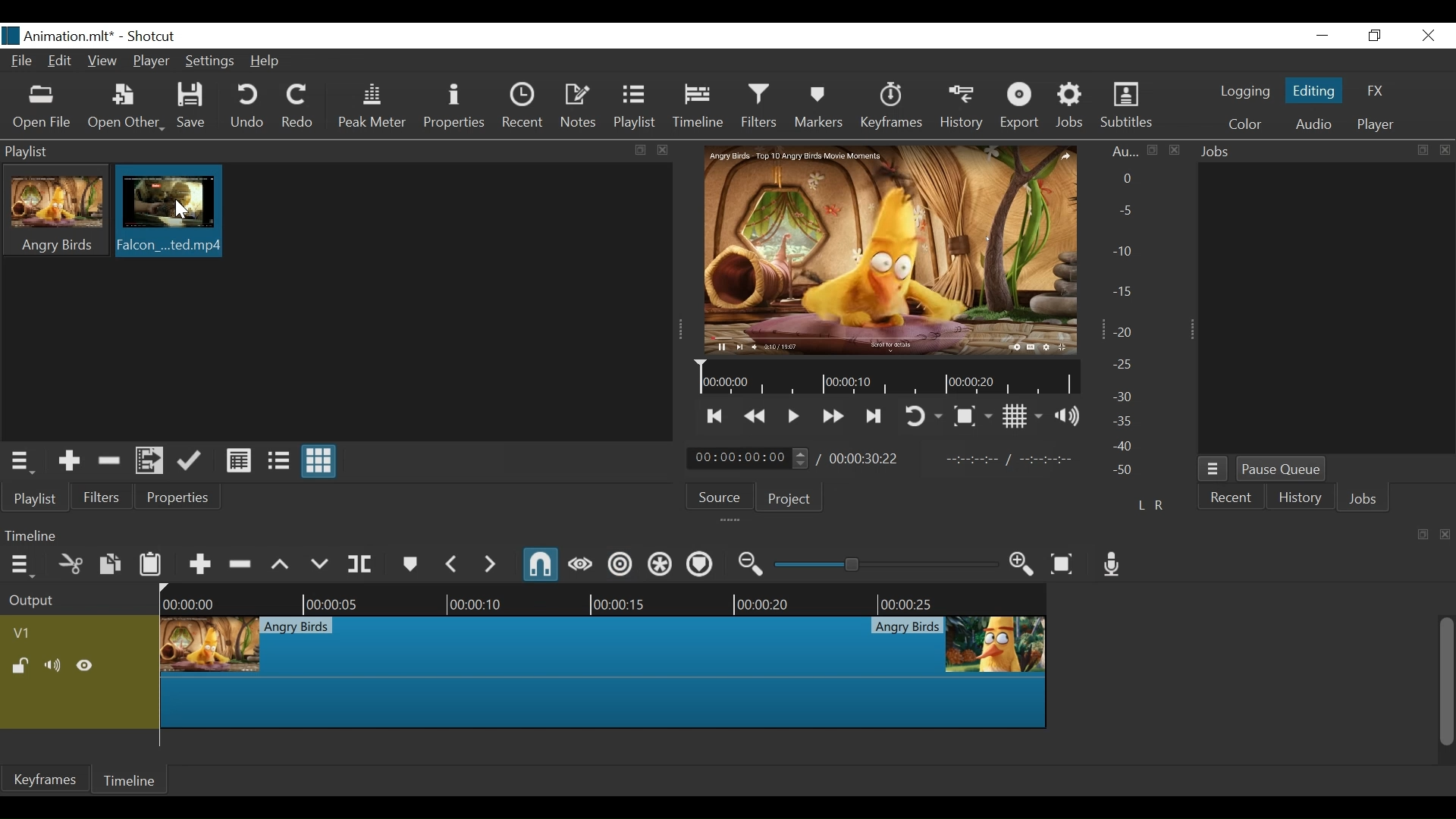 This screenshot has width=1456, height=819. Describe the element at coordinates (319, 561) in the screenshot. I see `Overwrite` at that location.